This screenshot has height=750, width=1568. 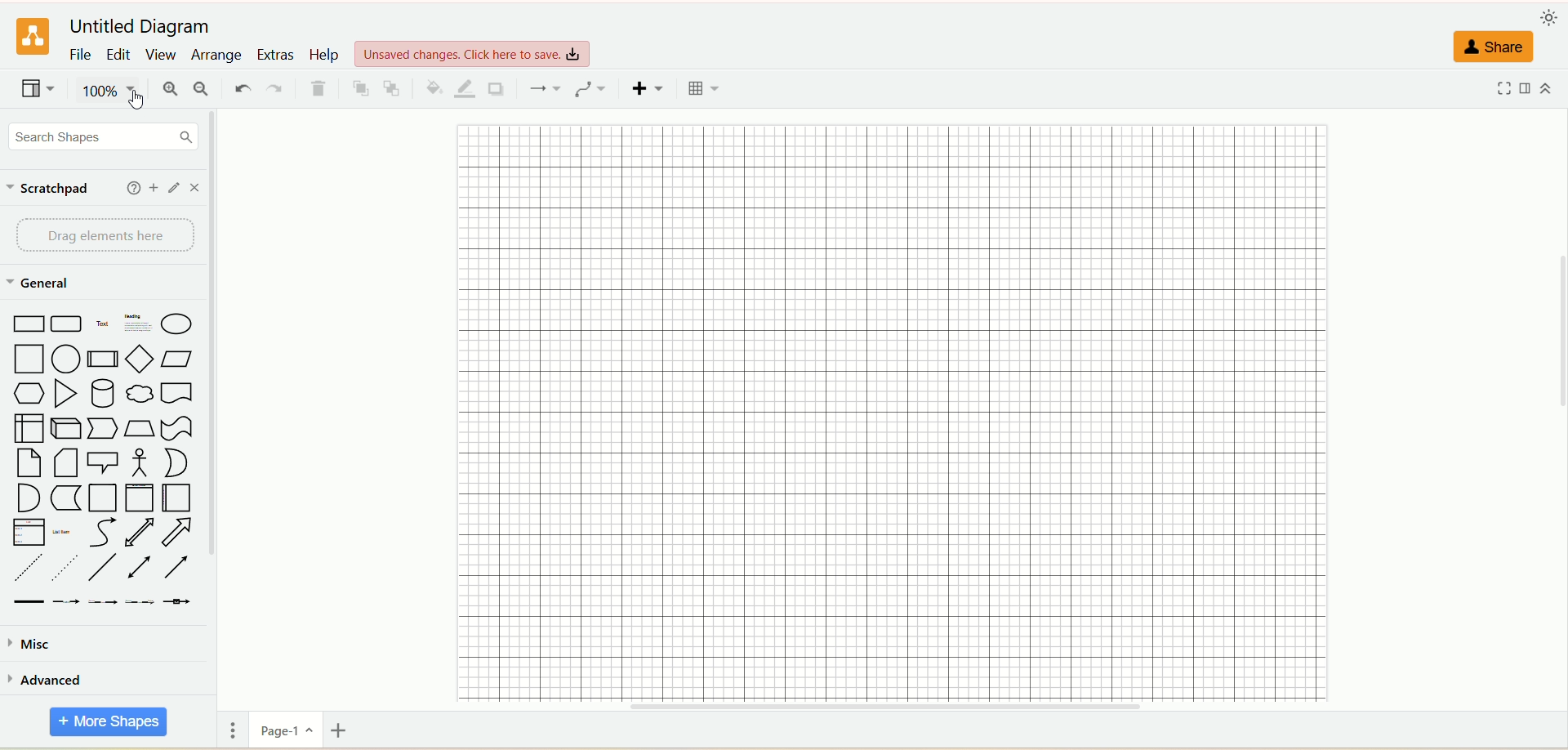 I want to click on trapezoid, so click(x=137, y=429).